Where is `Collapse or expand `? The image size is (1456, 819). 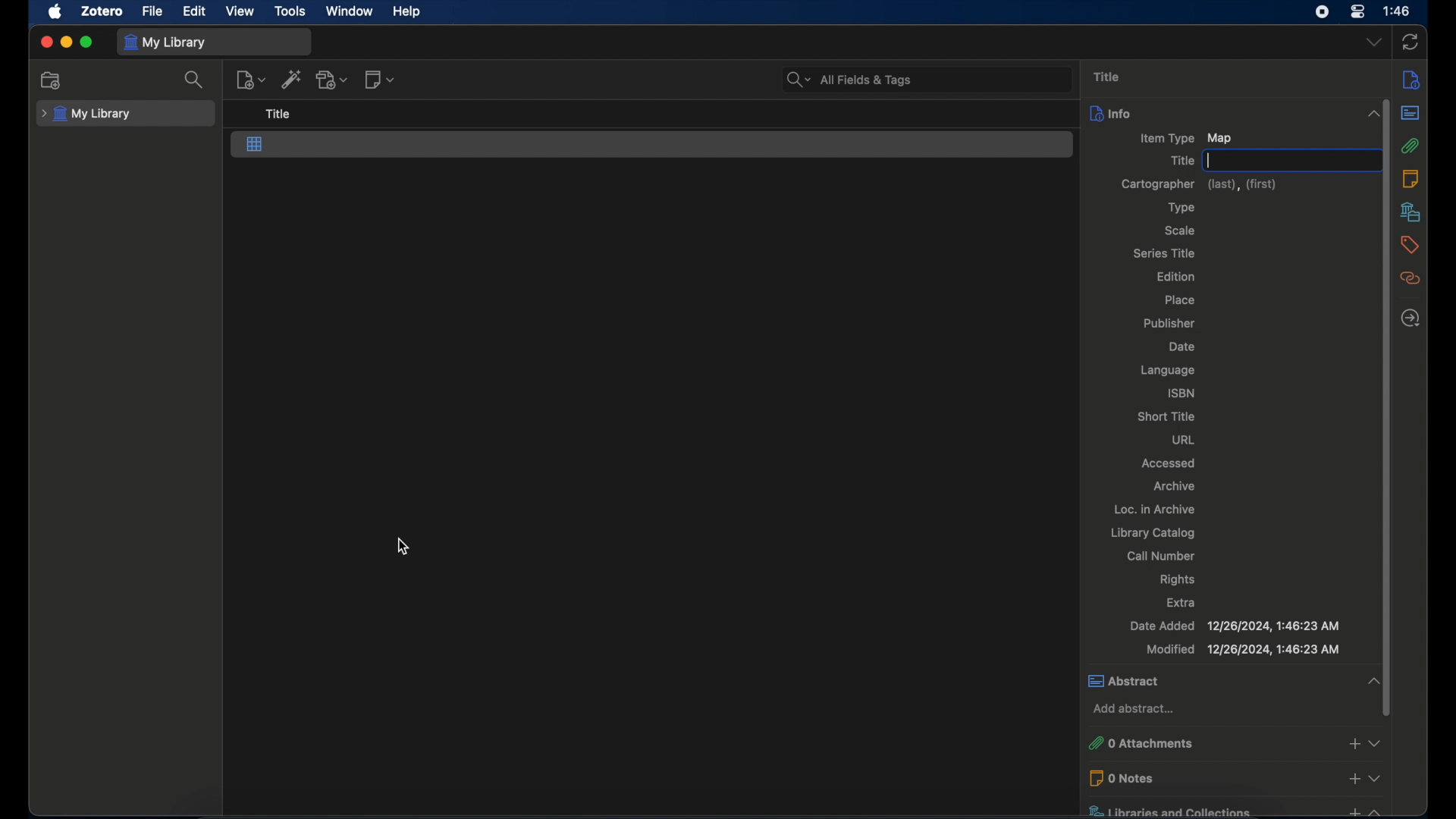 Collapse or expand  is located at coordinates (1377, 743).